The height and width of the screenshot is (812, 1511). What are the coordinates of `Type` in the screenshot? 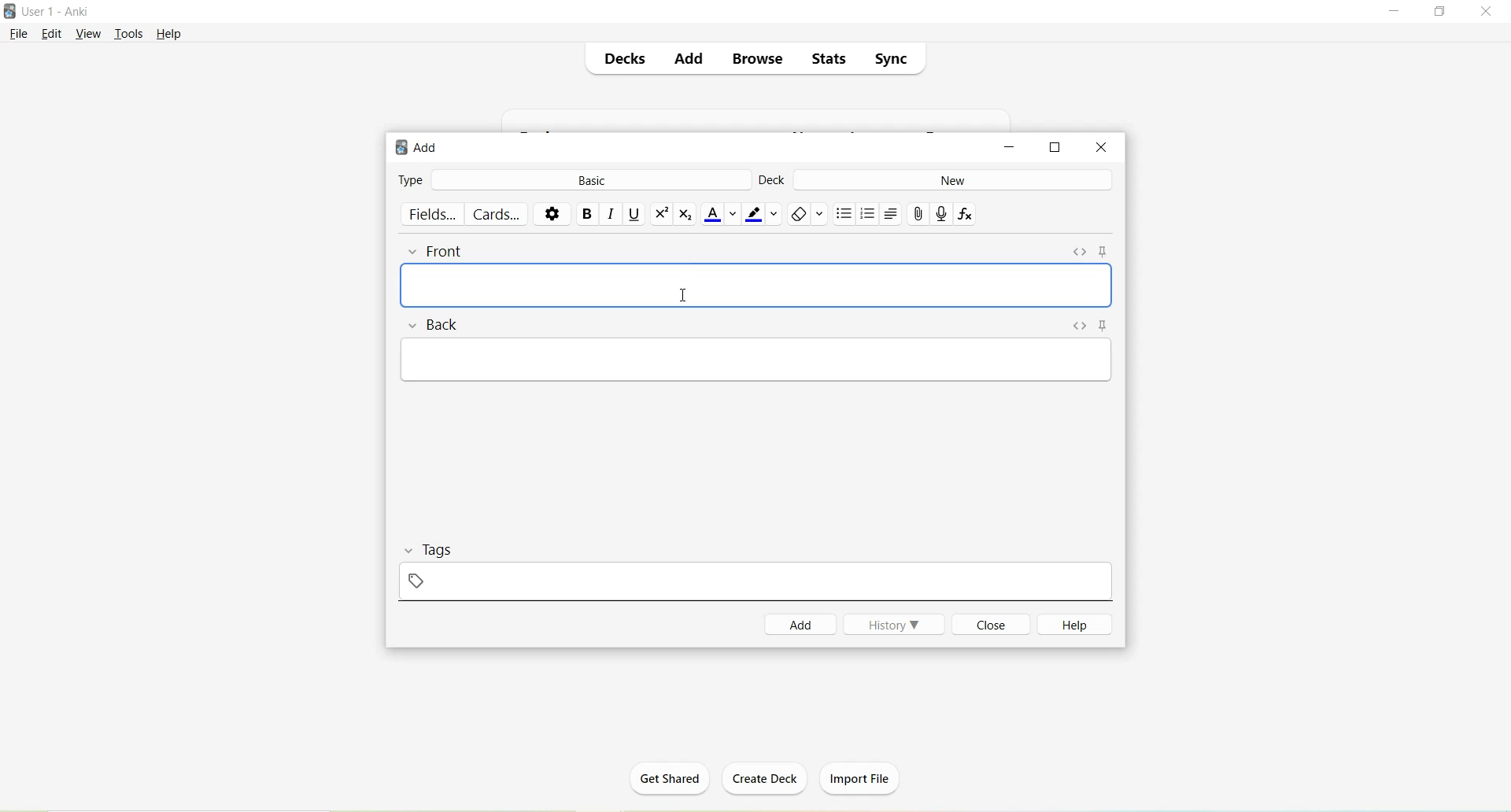 It's located at (411, 179).